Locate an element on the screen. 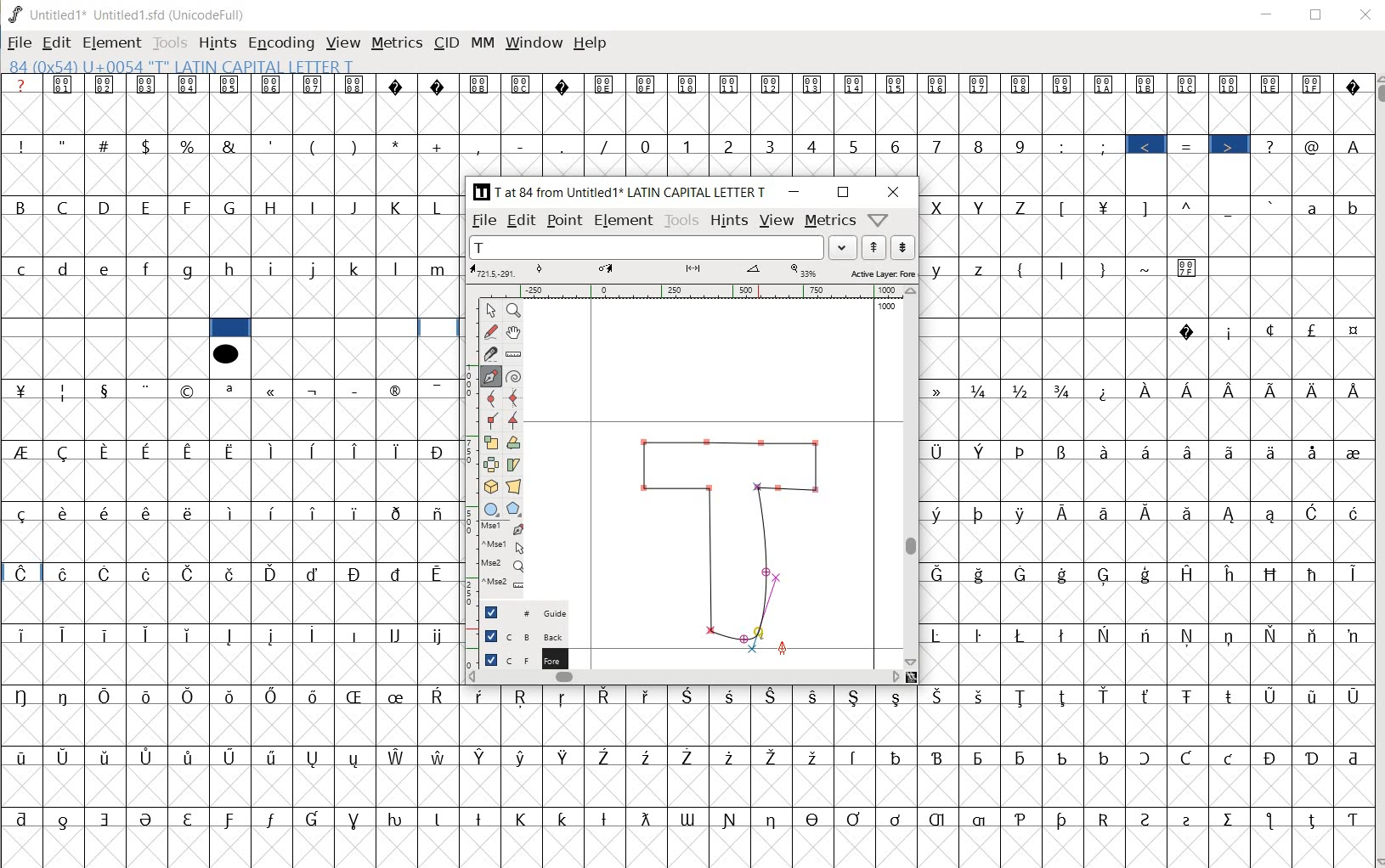  Symbol is located at coordinates (982, 696).